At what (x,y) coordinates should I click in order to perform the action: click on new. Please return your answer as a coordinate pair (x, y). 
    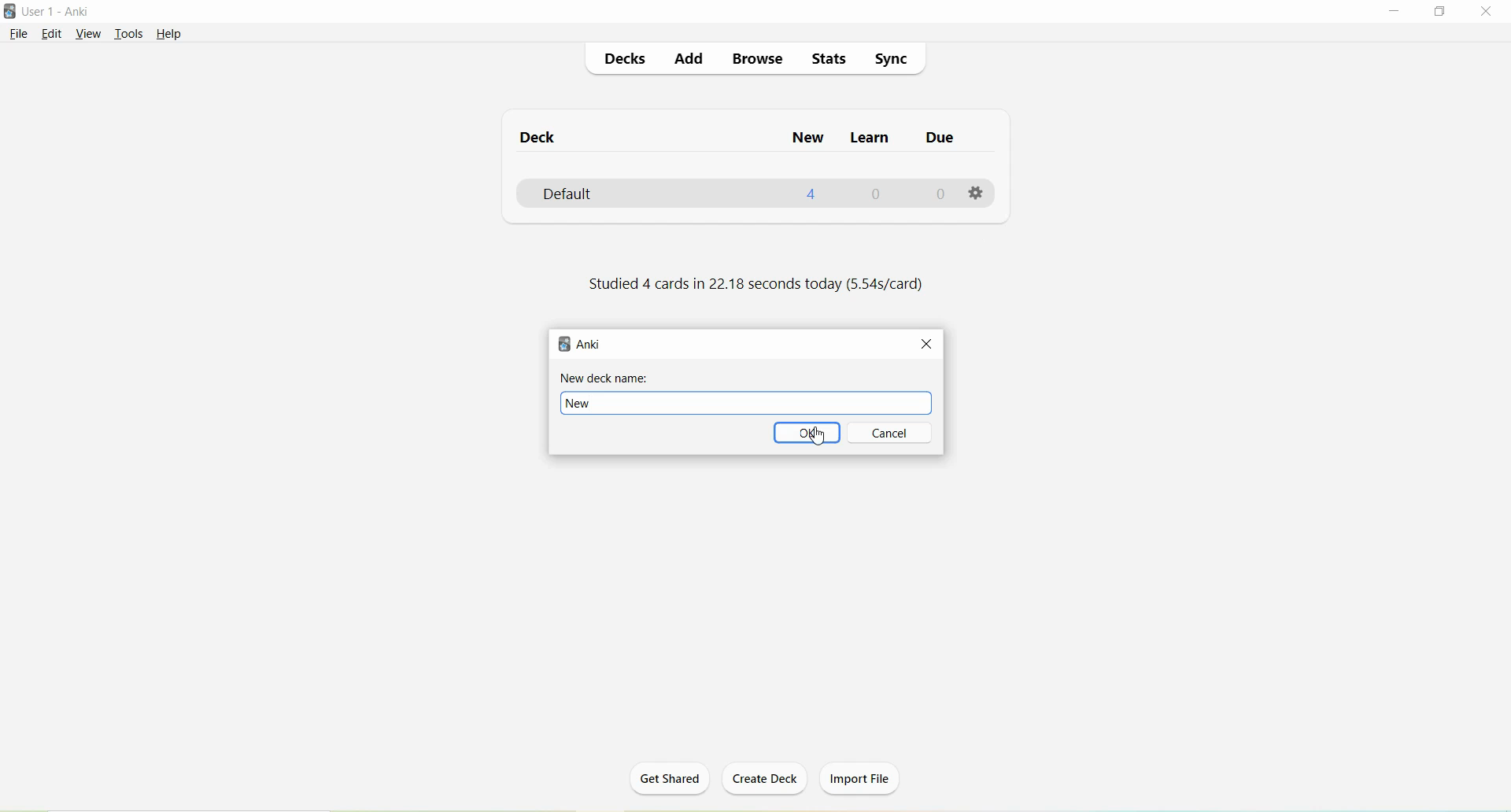
    Looking at the image, I should click on (747, 403).